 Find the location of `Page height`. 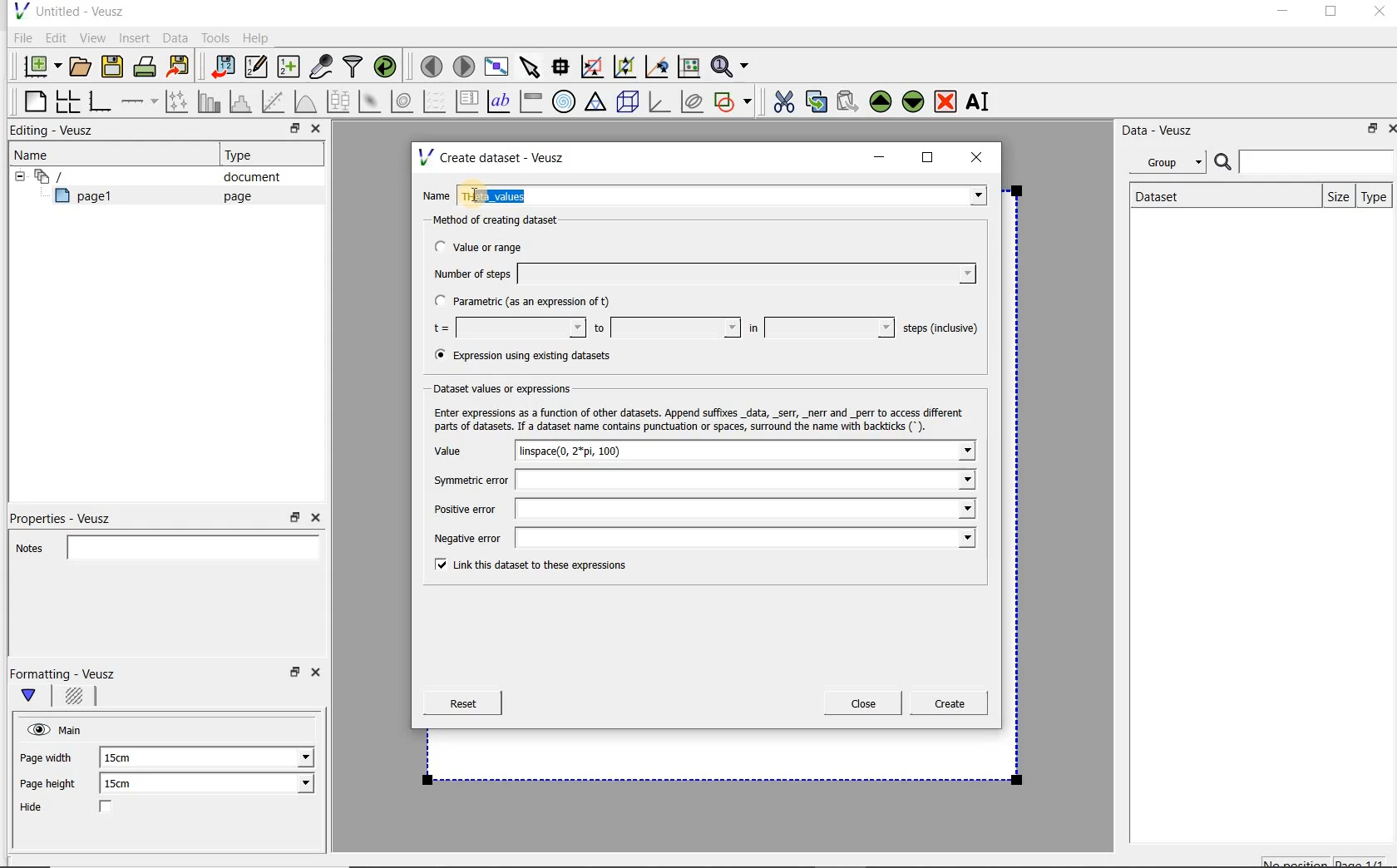

Page height is located at coordinates (53, 786).